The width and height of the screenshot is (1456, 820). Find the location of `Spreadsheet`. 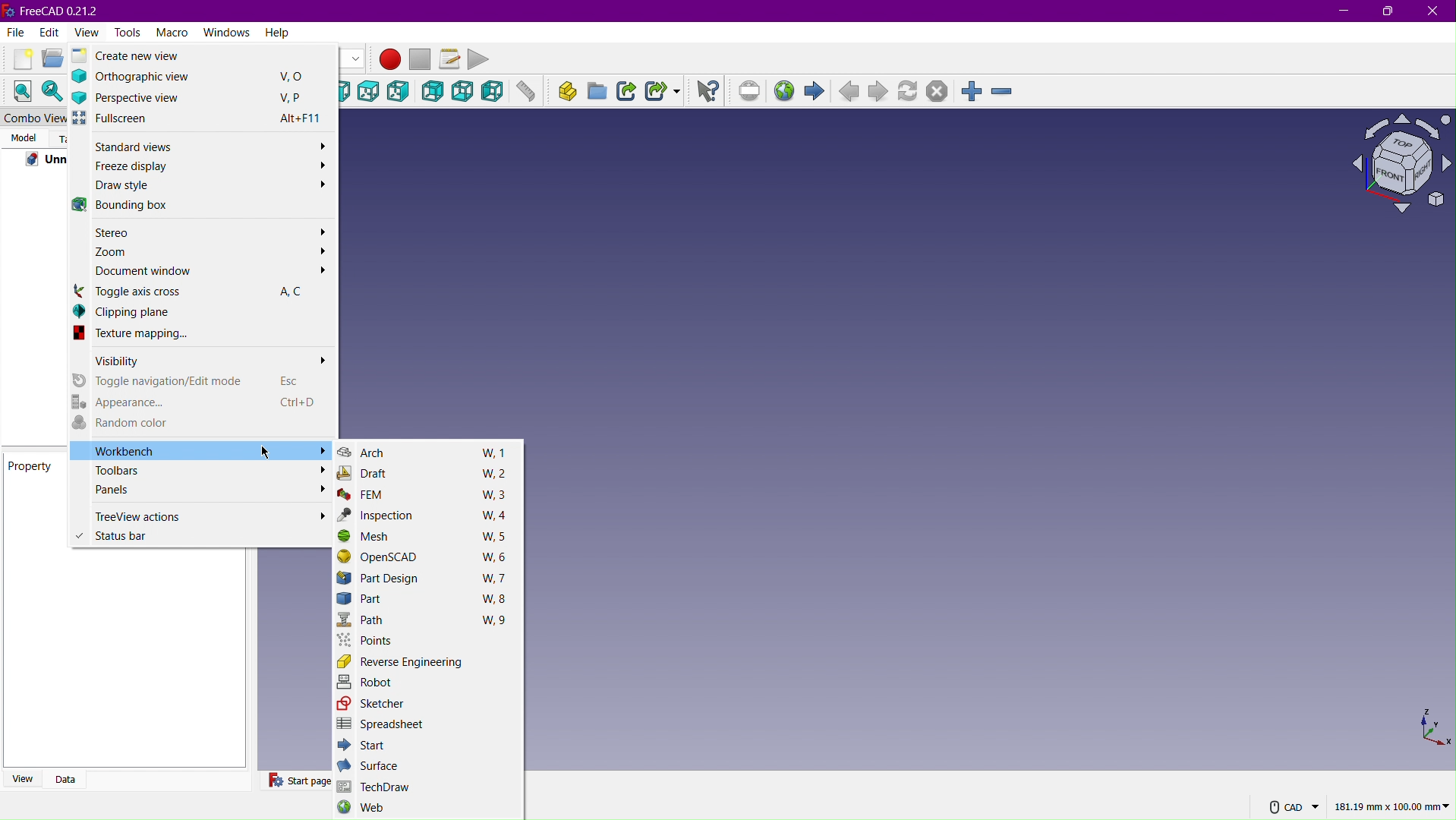

Spreadsheet is located at coordinates (381, 727).